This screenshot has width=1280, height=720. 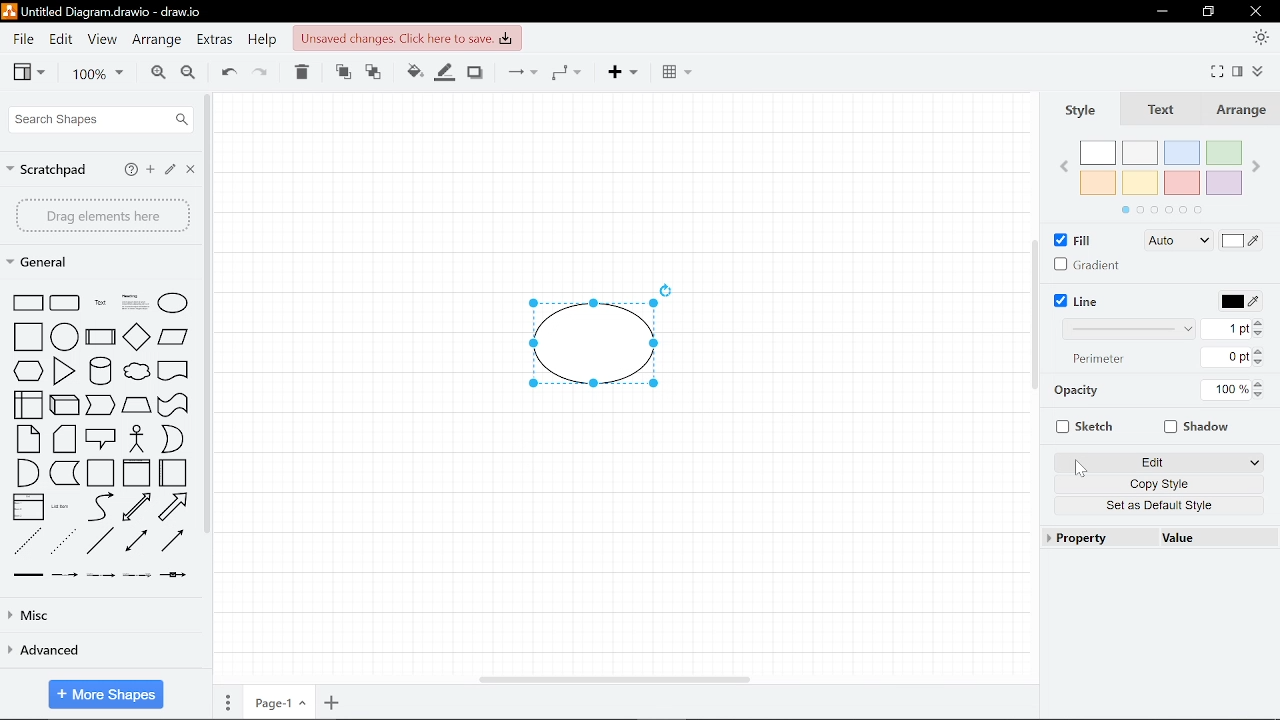 I want to click on arrow, so click(x=175, y=507).